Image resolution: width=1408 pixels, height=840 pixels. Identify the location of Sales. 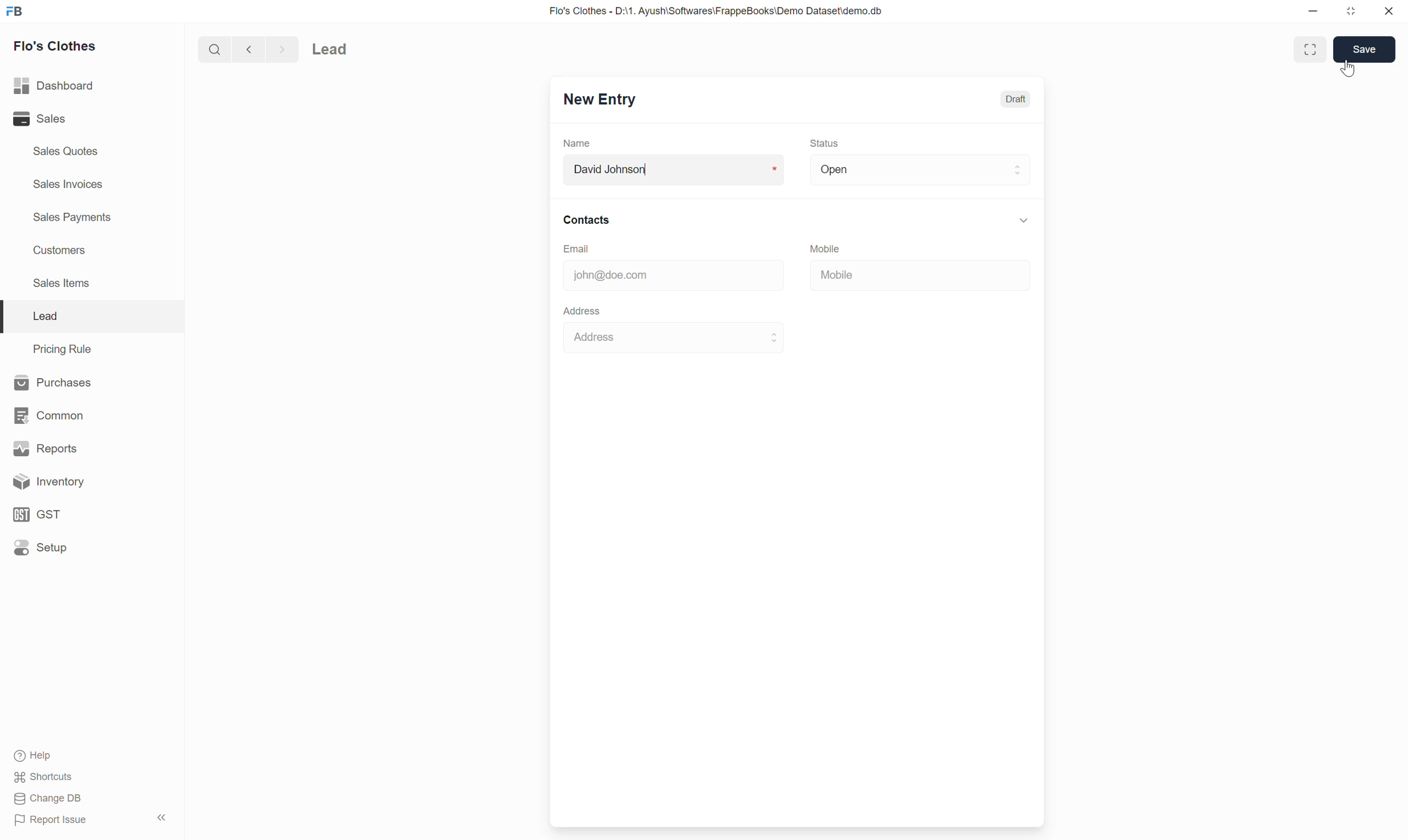
(40, 119).